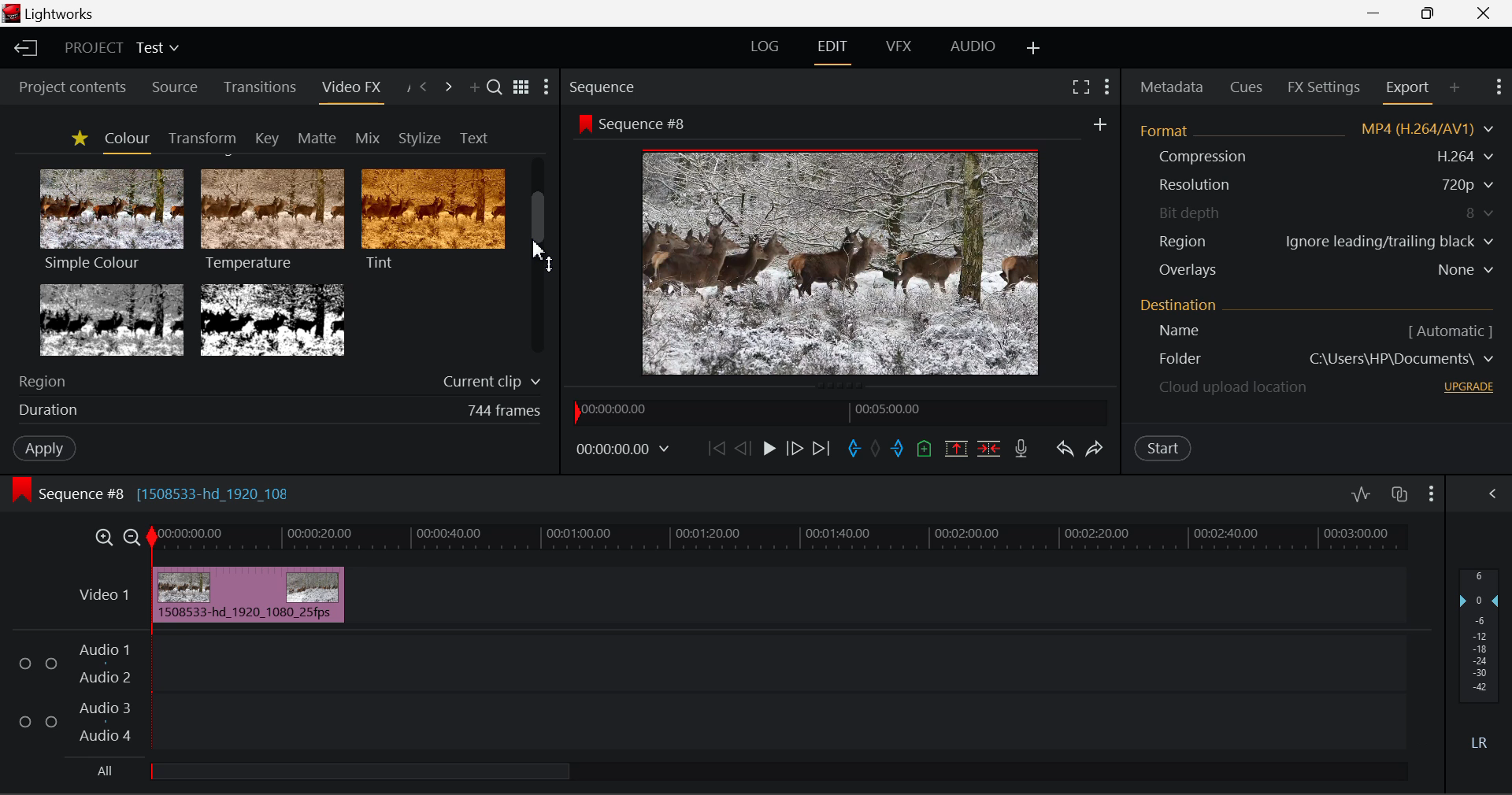  Describe the element at coordinates (448, 86) in the screenshot. I see `Next Panel` at that location.